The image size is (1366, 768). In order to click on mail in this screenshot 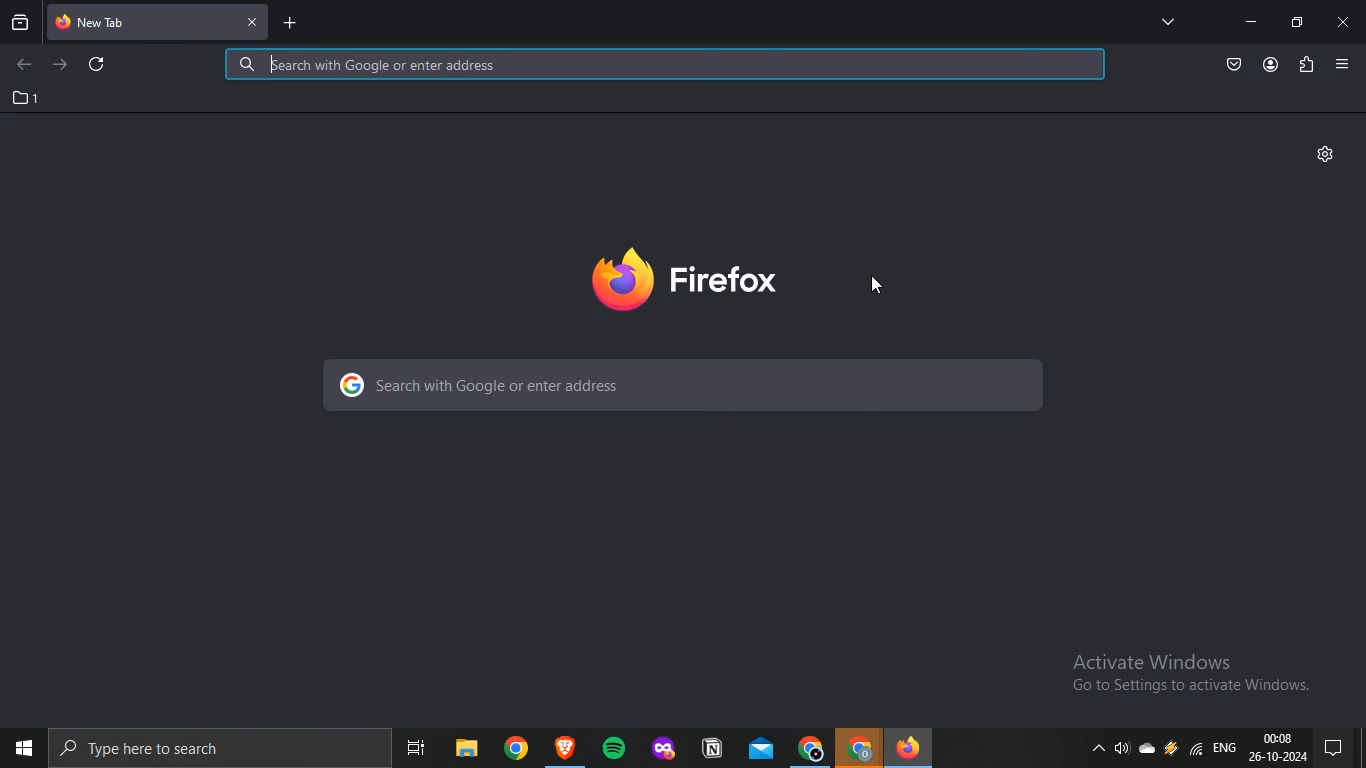, I will do `click(758, 744)`.